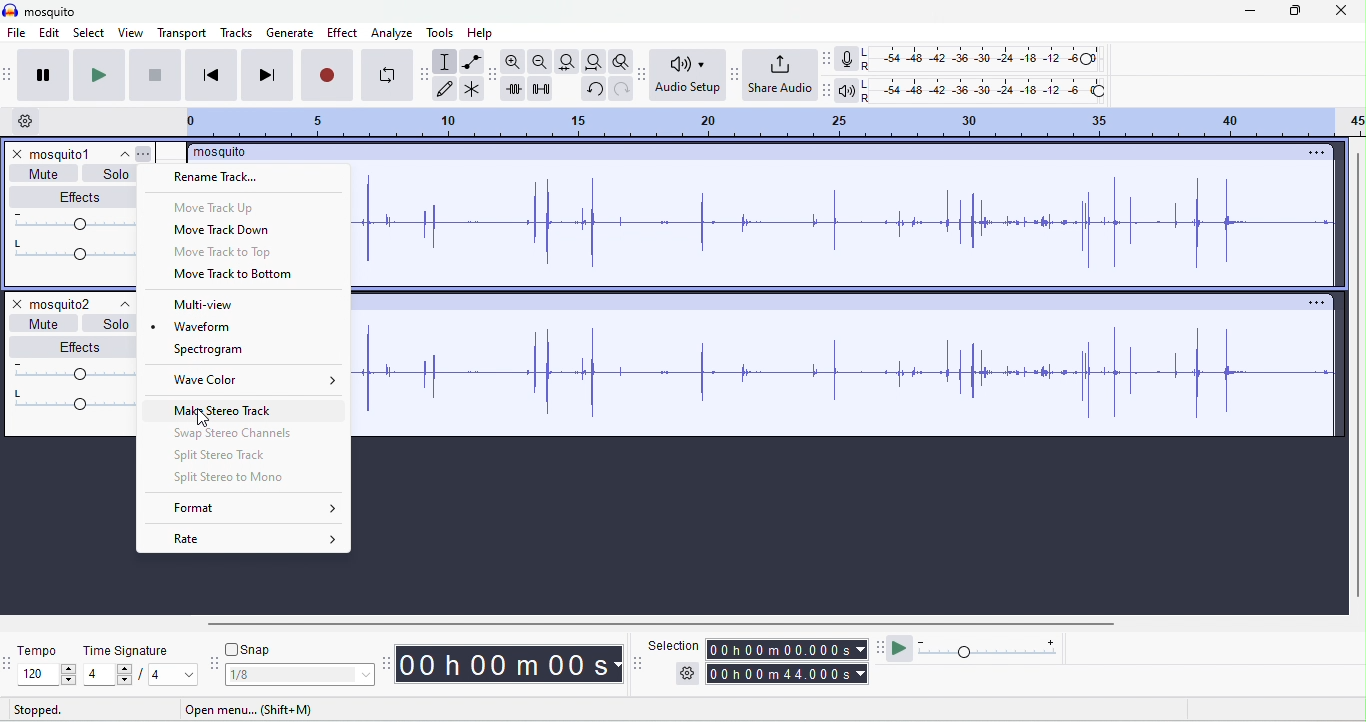 This screenshot has width=1366, height=722. I want to click on redo, so click(622, 90).